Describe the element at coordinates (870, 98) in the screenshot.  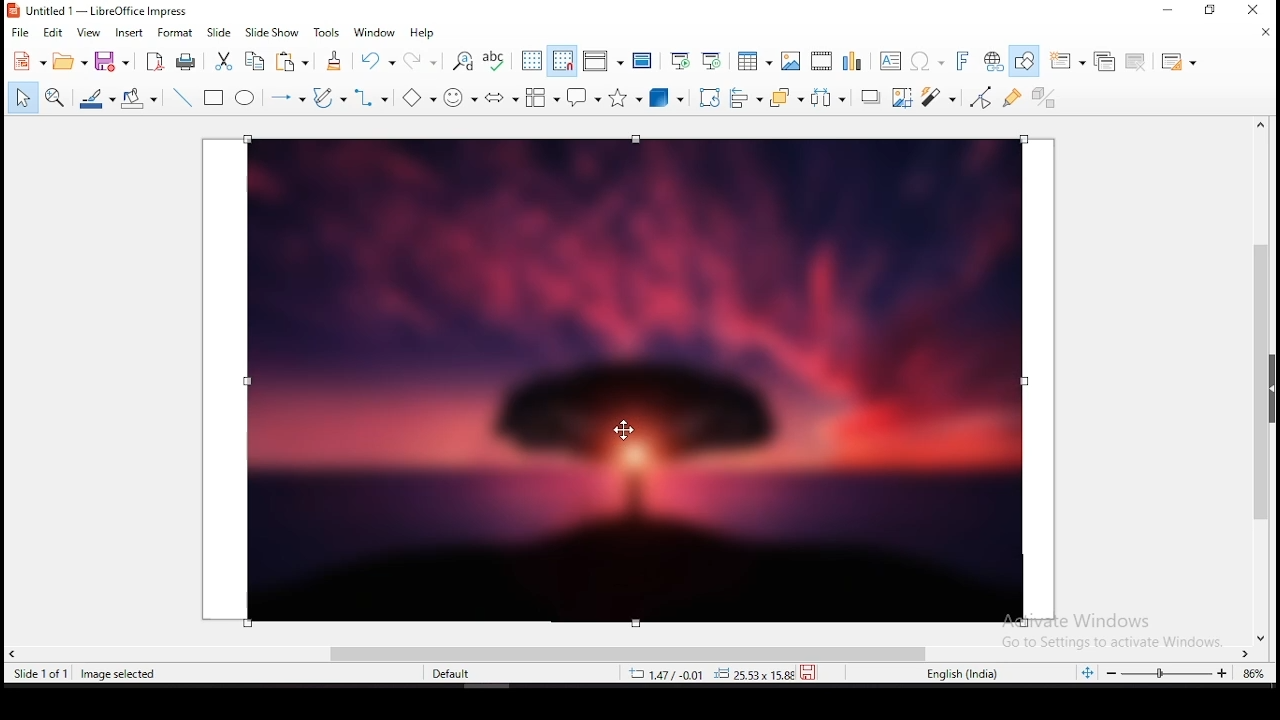
I see `Shadow` at that location.